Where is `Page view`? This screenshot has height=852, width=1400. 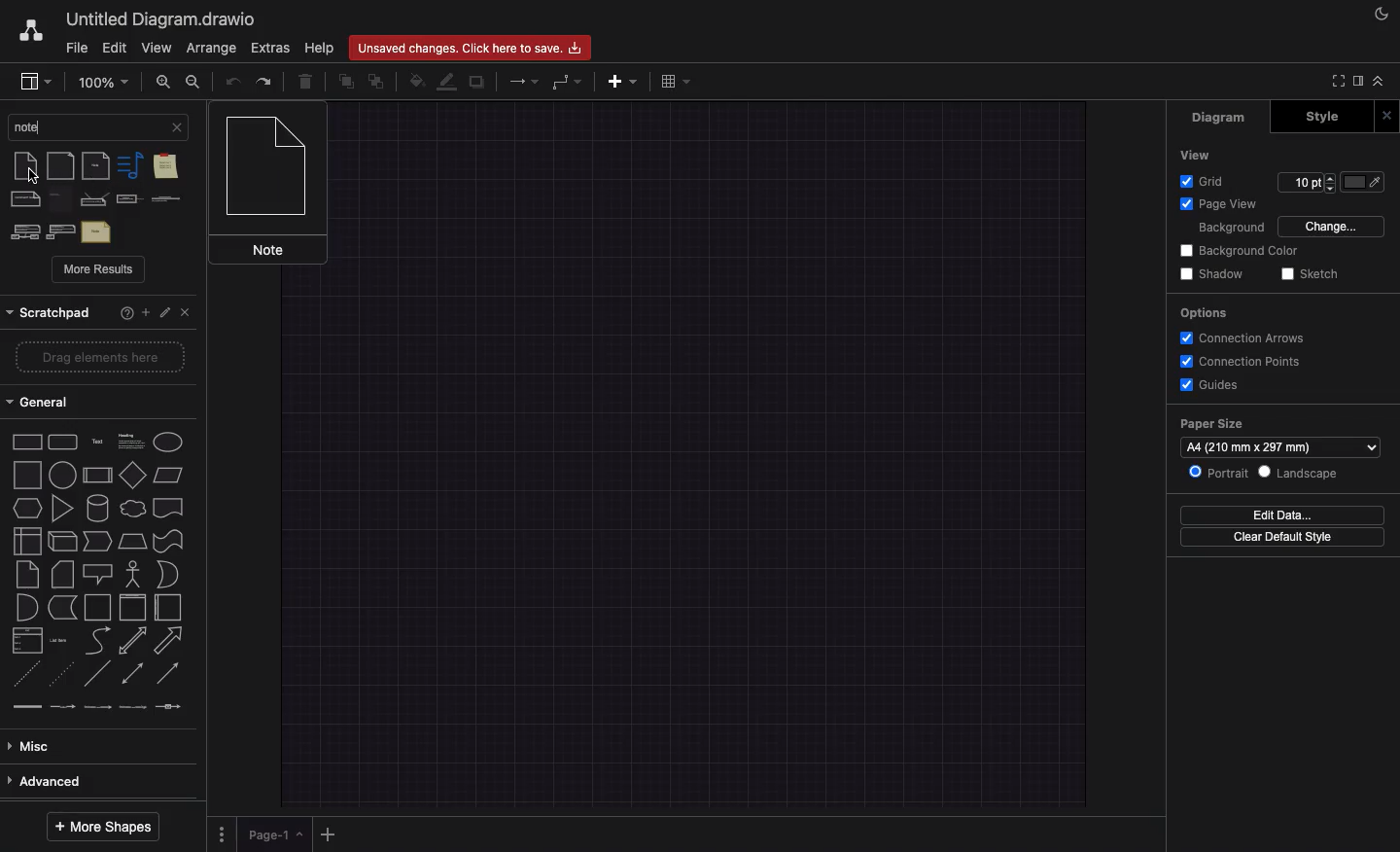
Page view is located at coordinates (1222, 202).